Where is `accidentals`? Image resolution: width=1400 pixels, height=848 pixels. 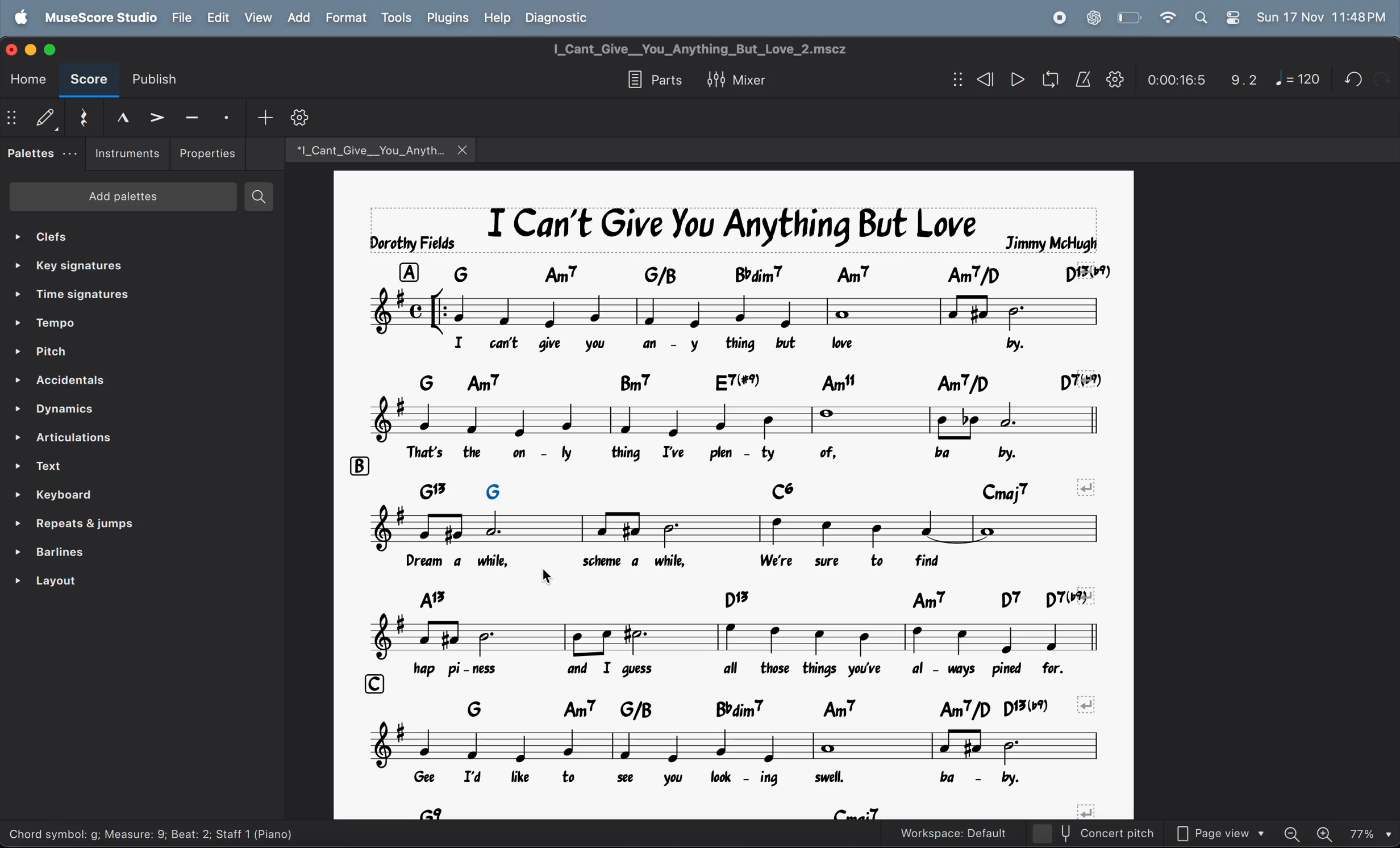
accidentals is located at coordinates (126, 382).